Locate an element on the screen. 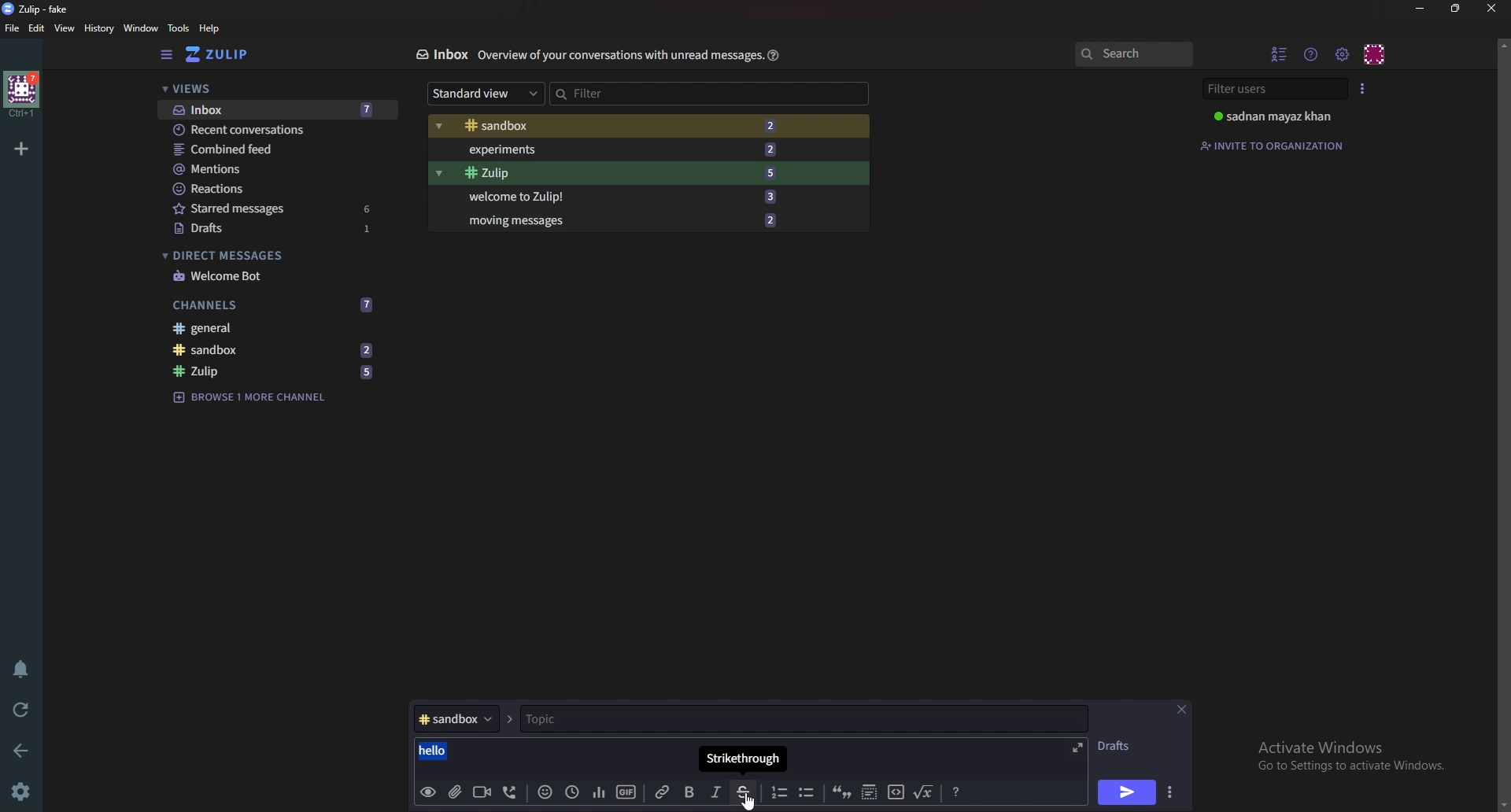  gif is located at coordinates (626, 794).